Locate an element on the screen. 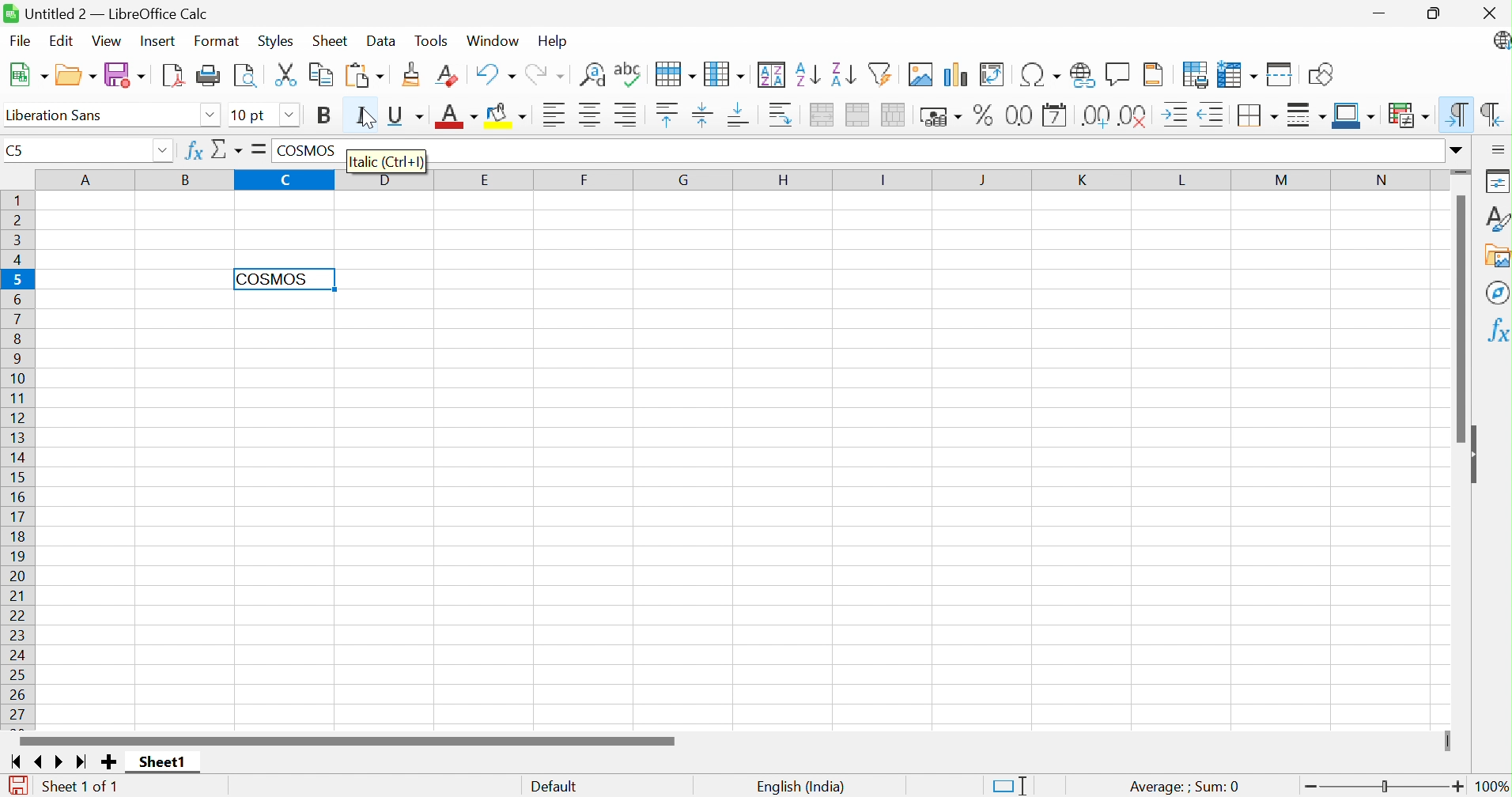  Align center is located at coordinates (591, 115).